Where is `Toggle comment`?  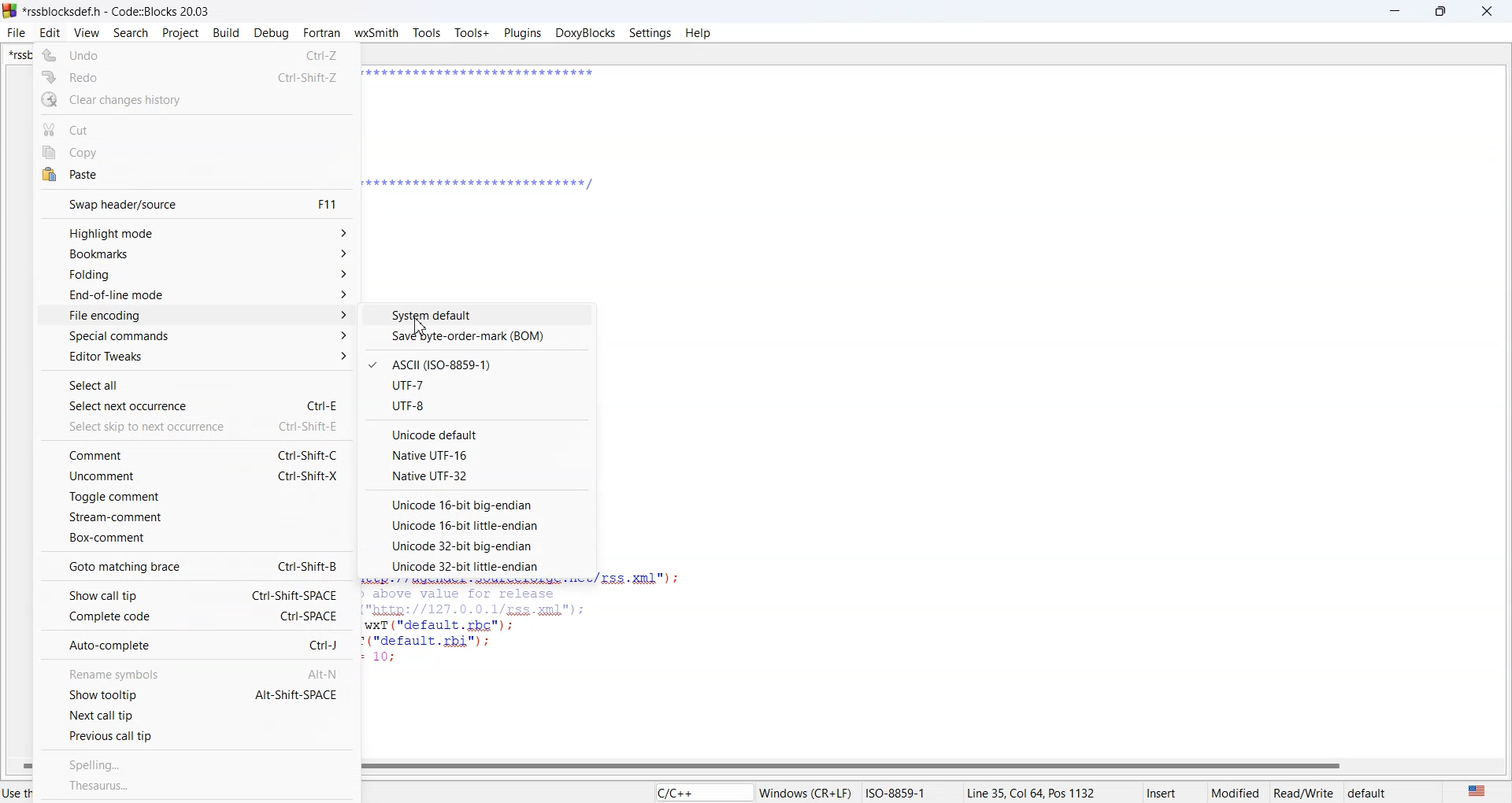 Toggle comment is located at coordinates (195, 497).